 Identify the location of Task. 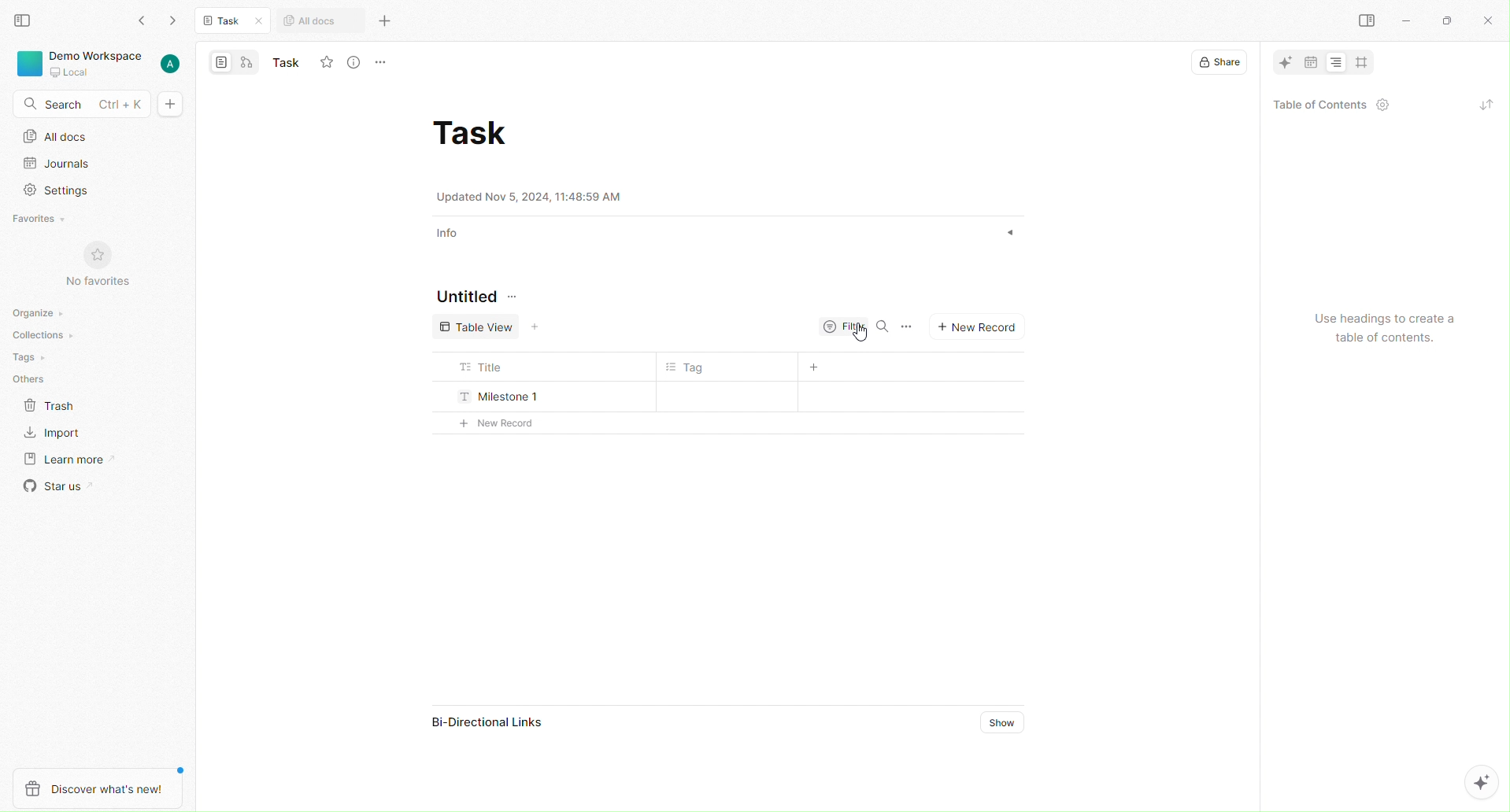
(228, 21).